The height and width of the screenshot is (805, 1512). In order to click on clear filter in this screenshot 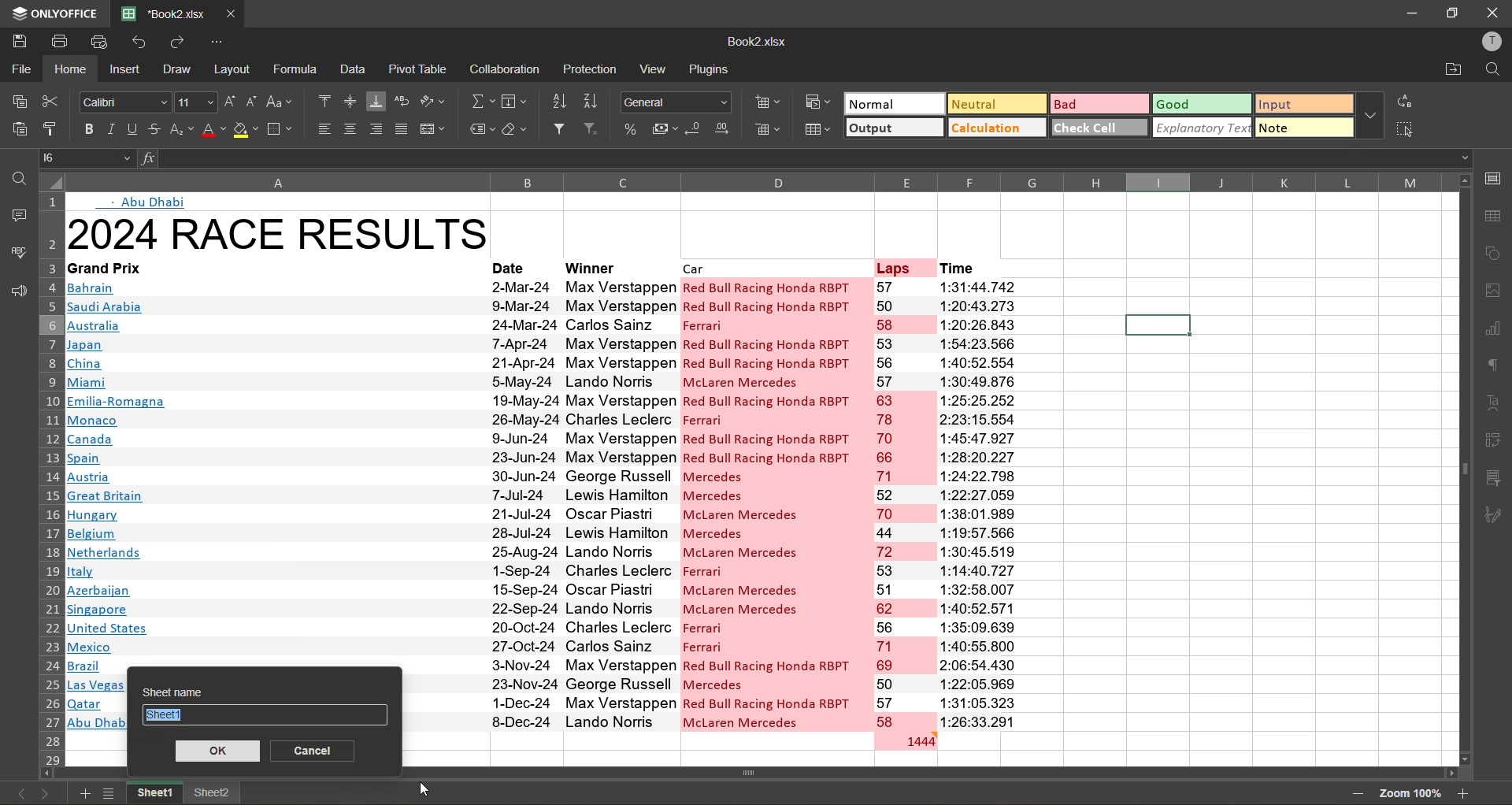, I will do `click(592, 130)`.